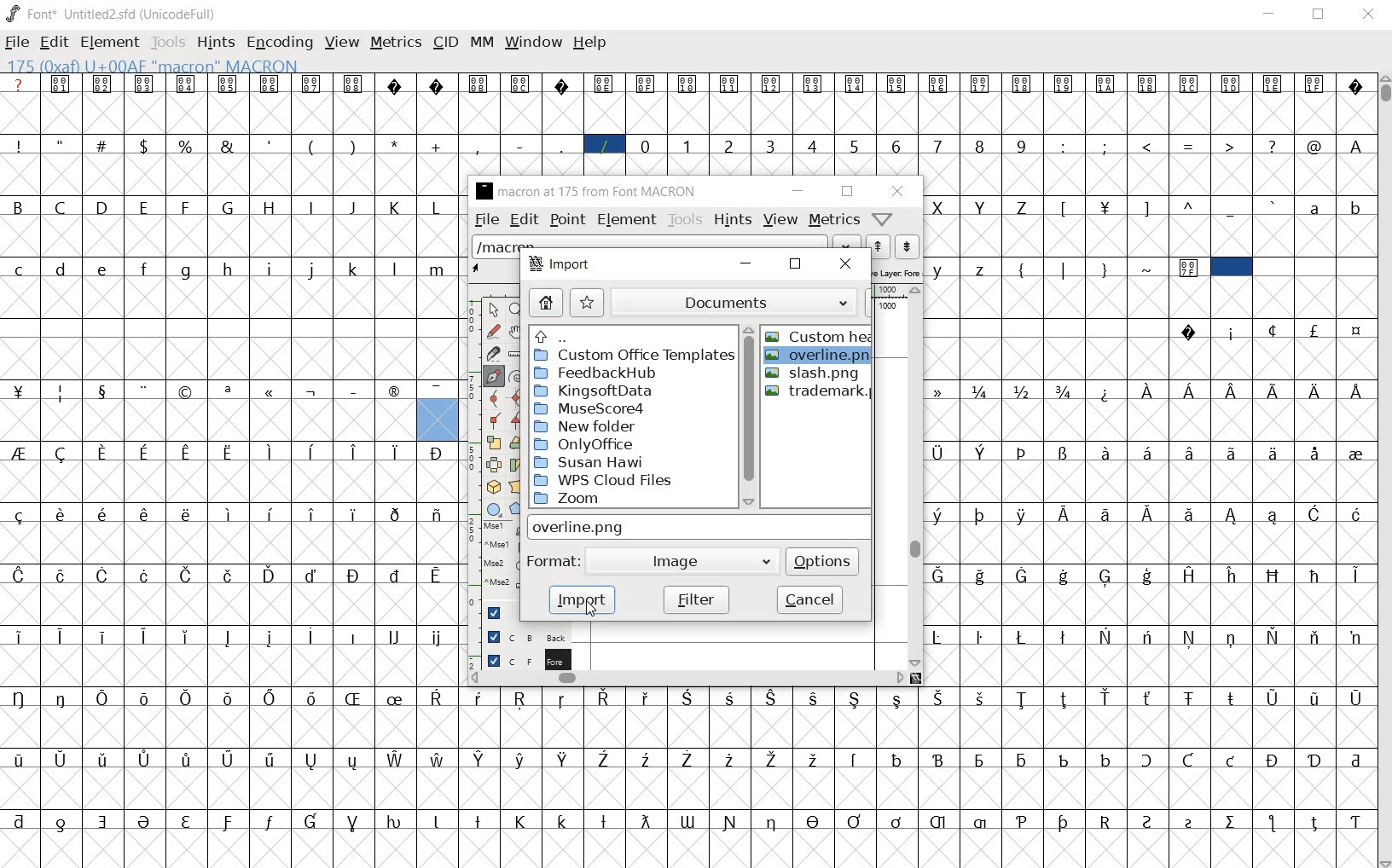 The image size is (1392, 868). Describe the element at coordinates (393, 389) in the screenshot. I see `Symbol` at that location.